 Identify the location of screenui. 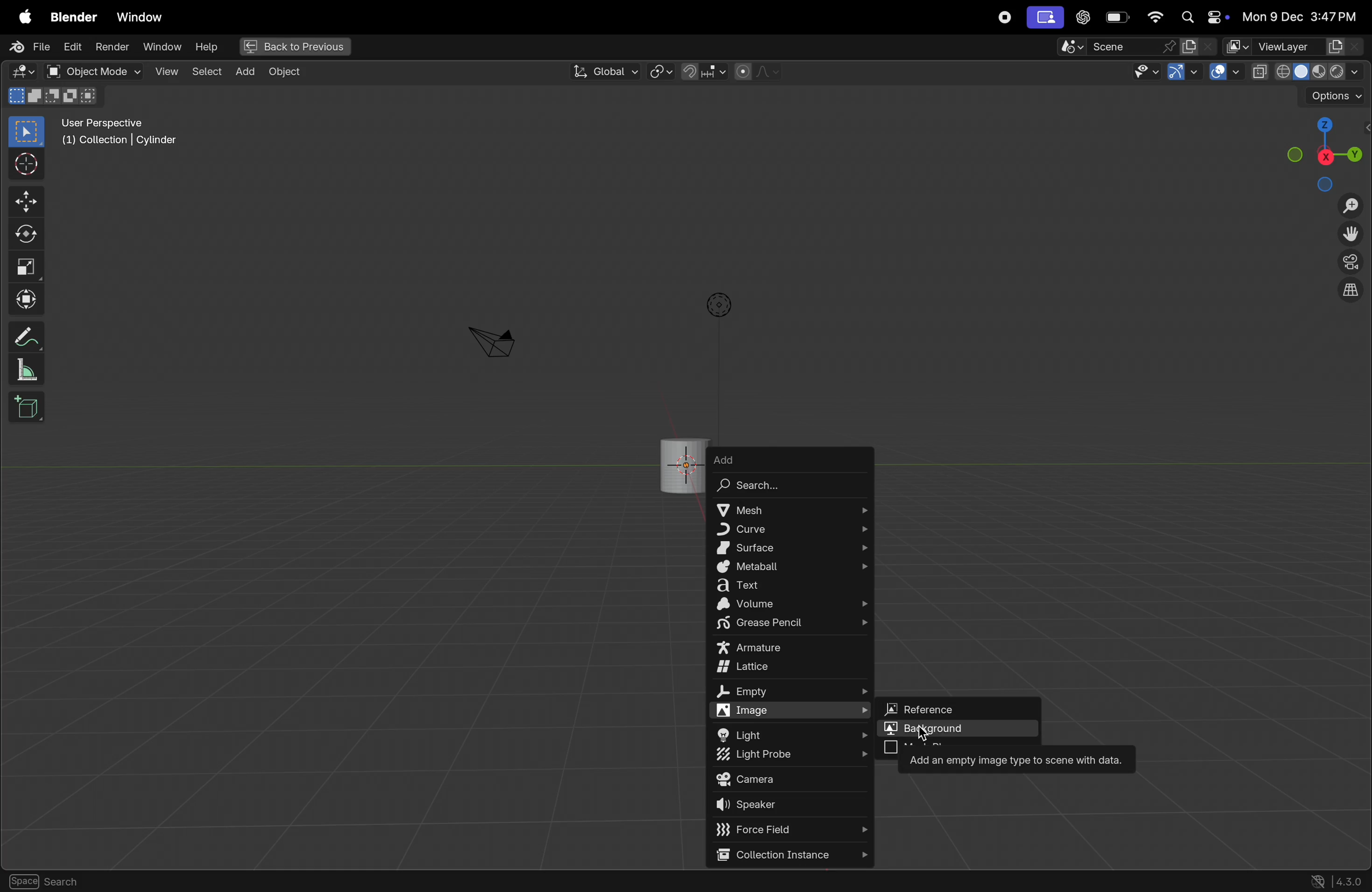
(1044, 17).